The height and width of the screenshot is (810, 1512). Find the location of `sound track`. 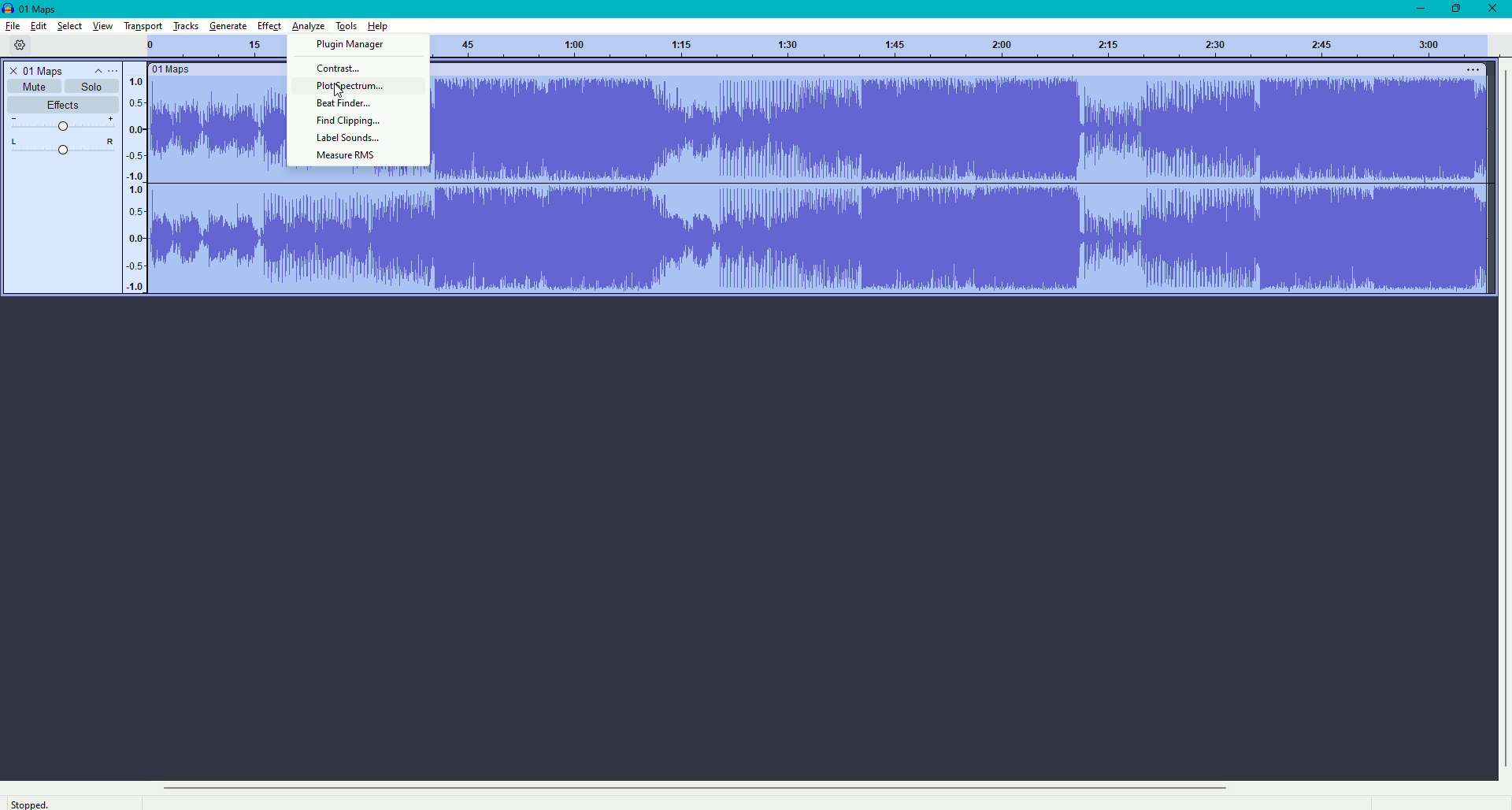

sound track is located at coordinates (960, 183).